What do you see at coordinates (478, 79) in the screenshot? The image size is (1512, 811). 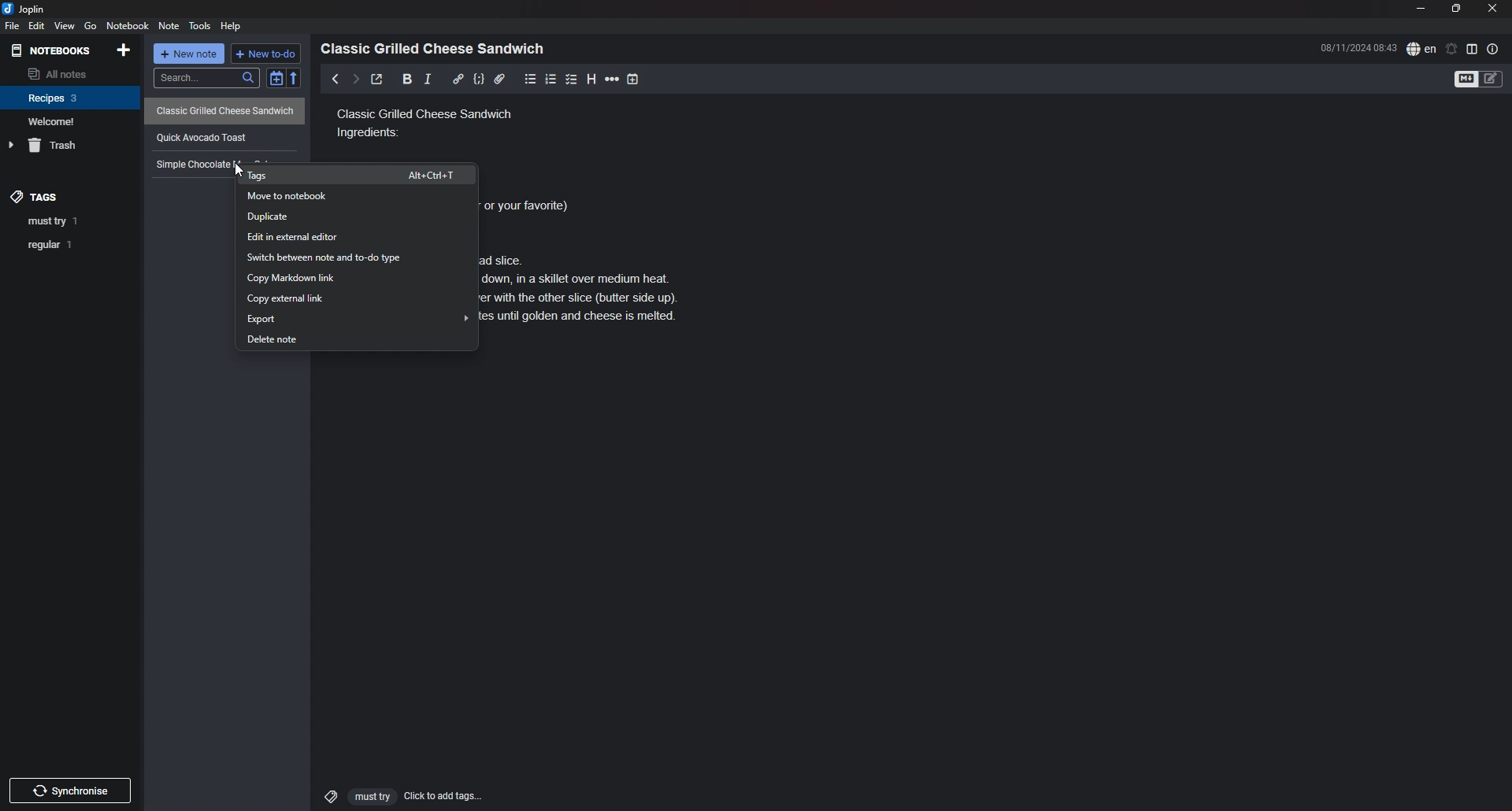 I see `code` at bounding box center [478, 79].